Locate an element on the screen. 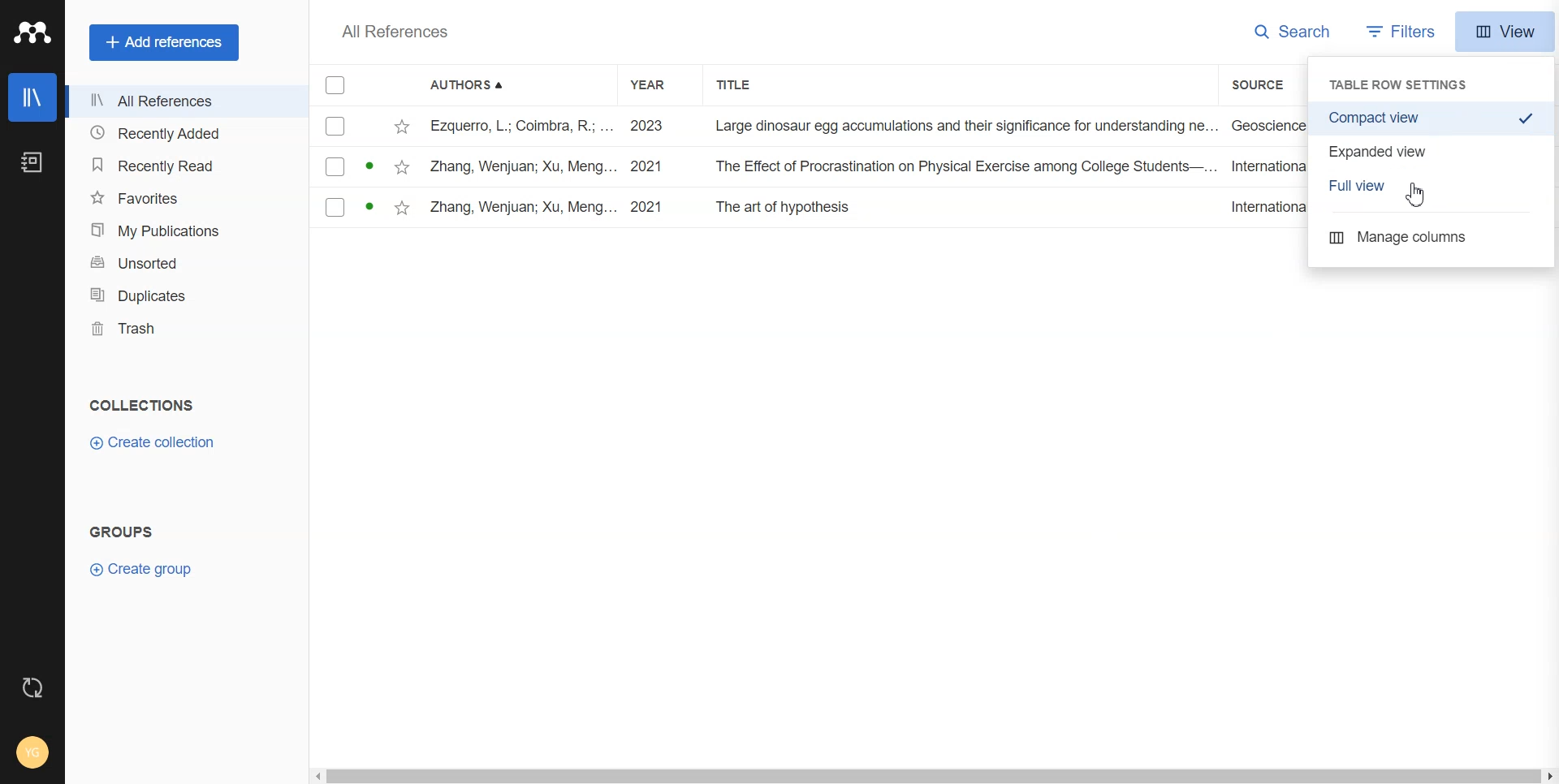  Text  is located at coordinates (145, 403).